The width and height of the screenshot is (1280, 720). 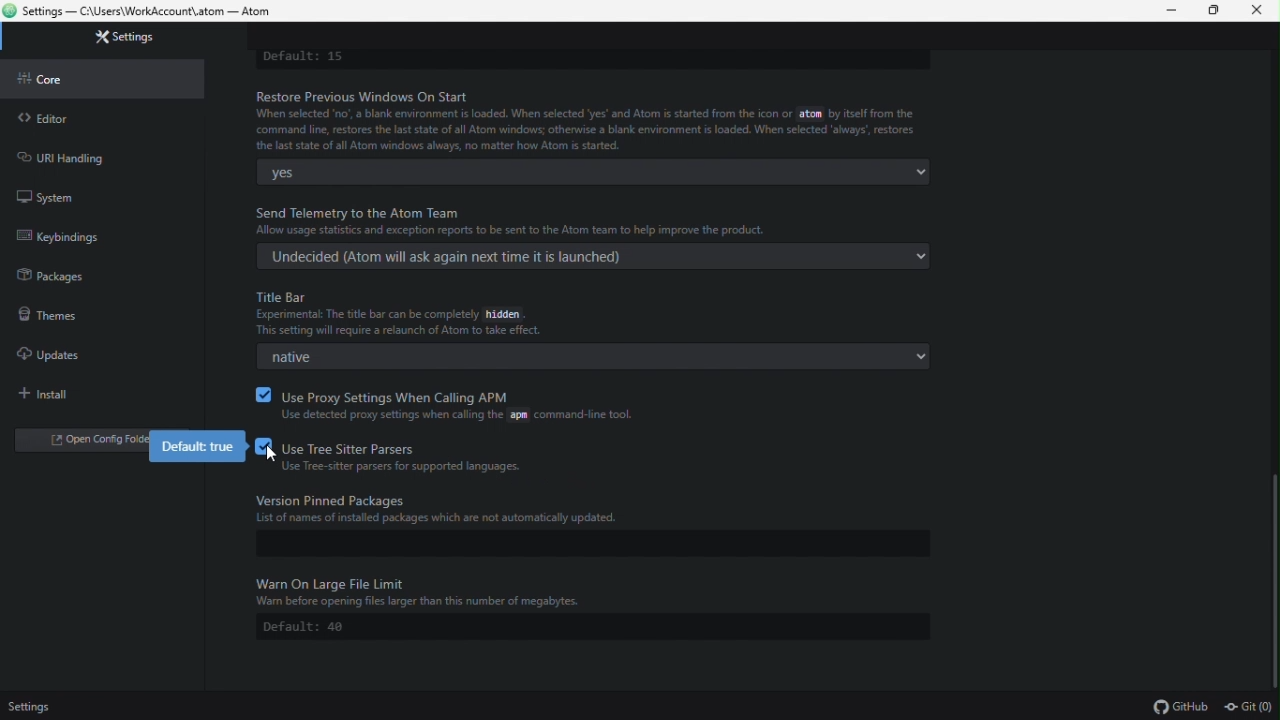 What do you see at coordinates (604, 218) in the screenshot?
I see `Send Telemetry to the Atom Team` at bounding box center [604, 218].